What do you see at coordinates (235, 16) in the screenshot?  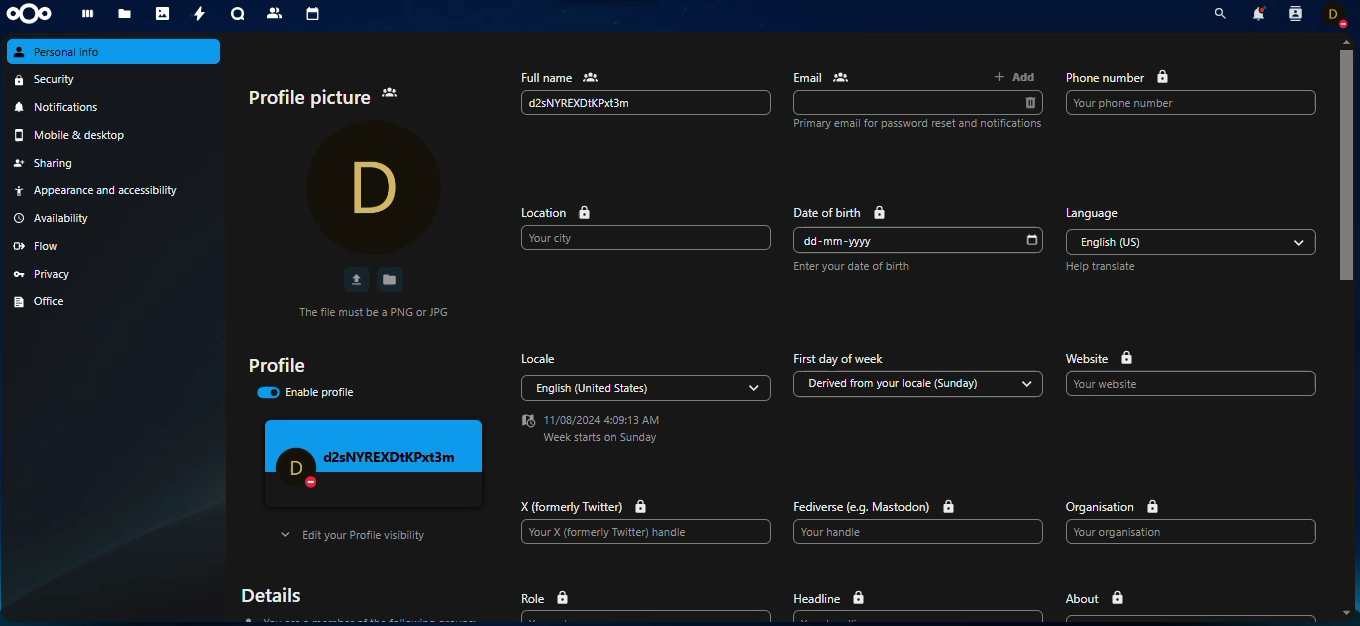 I see `talk` at bounding box center [235, 16].